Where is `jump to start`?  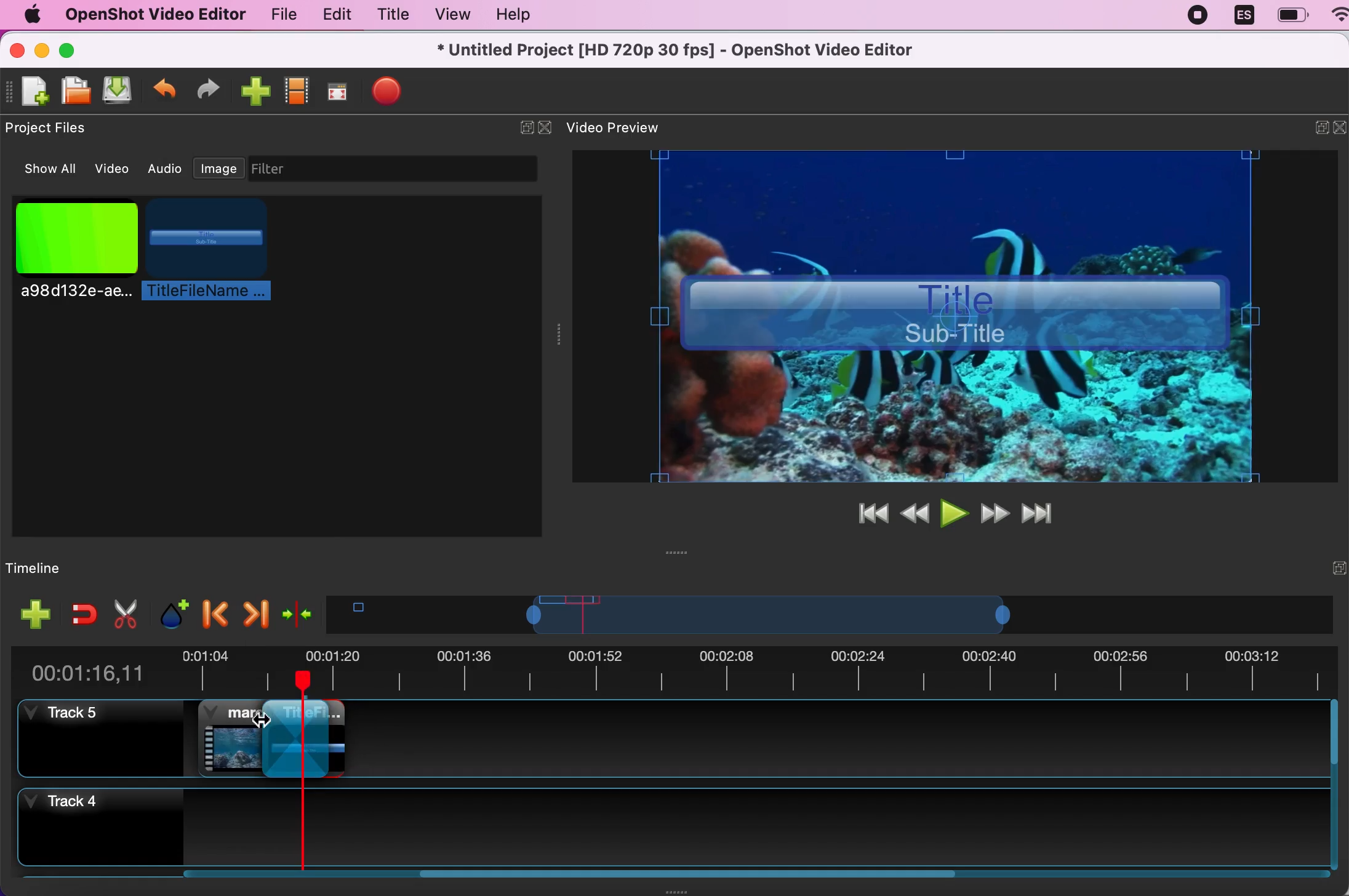
jump to start is located at coordinates (869, 513).